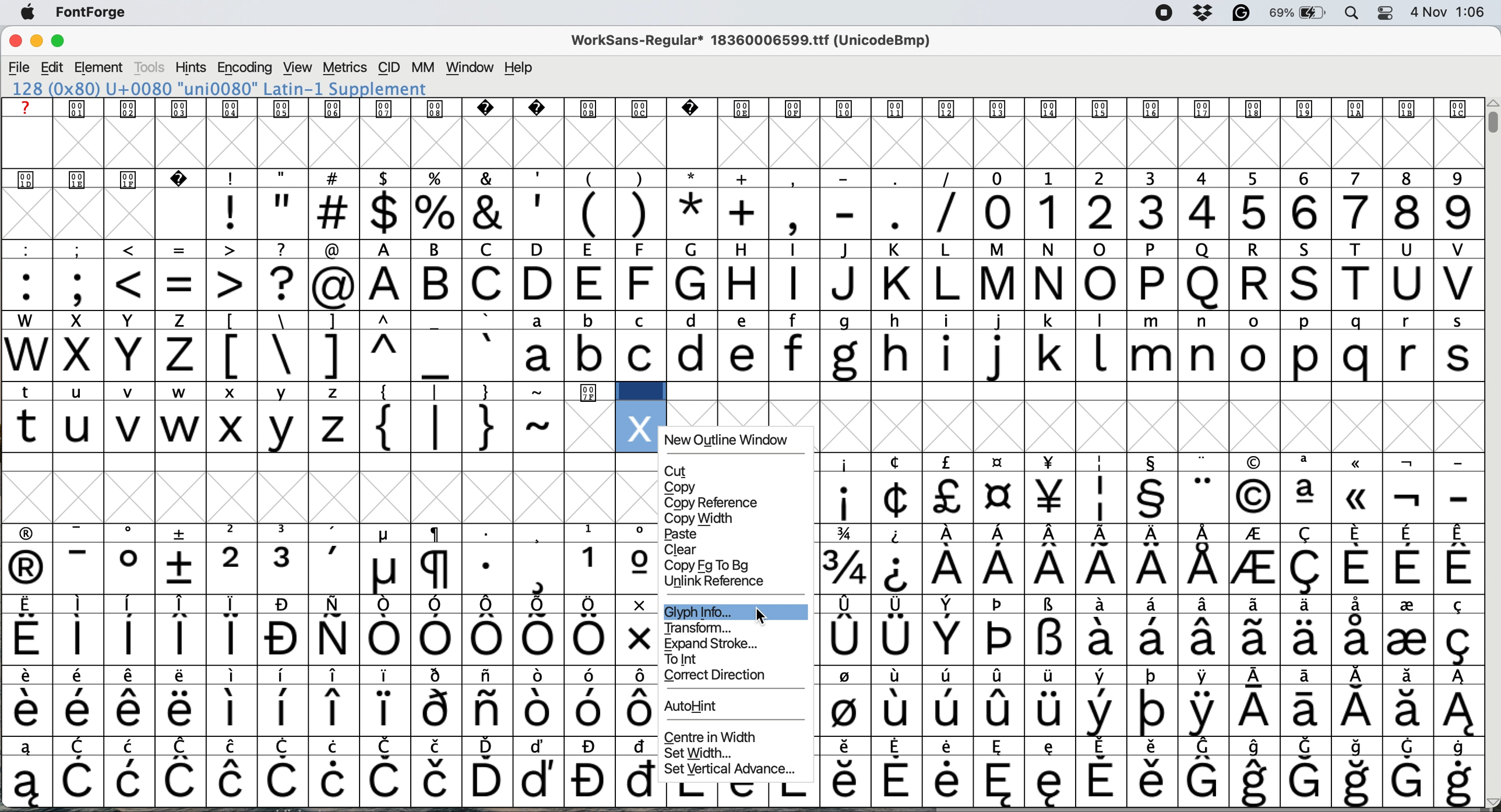  What do you see at coordinates (738, 441) in the screenshot?
I see `new outline window` at bounding box center [738, 441].